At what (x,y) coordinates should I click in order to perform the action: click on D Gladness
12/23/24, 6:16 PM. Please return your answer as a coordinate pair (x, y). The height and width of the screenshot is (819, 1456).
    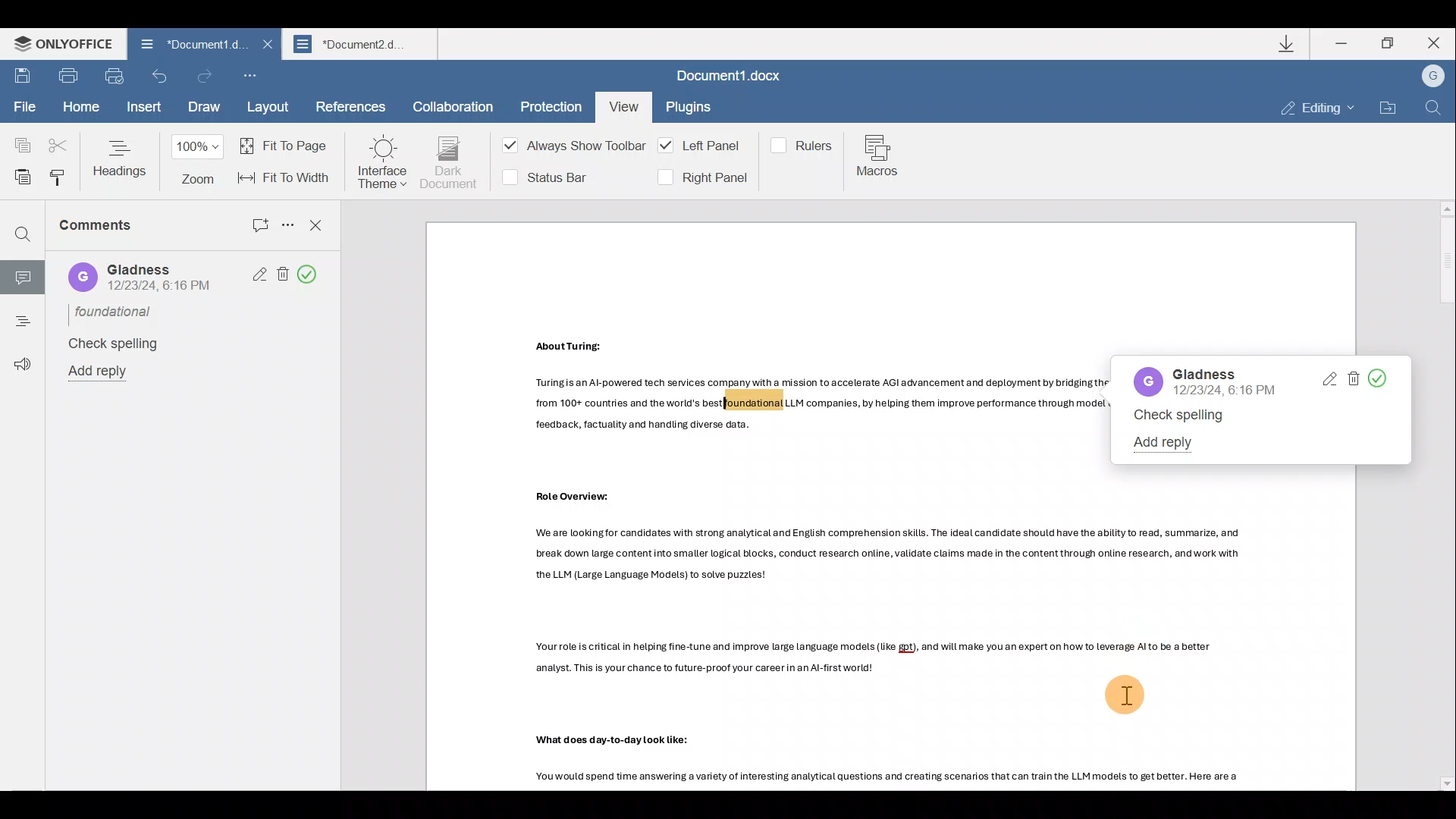
    Looking at the image, I should click on (141, 278).